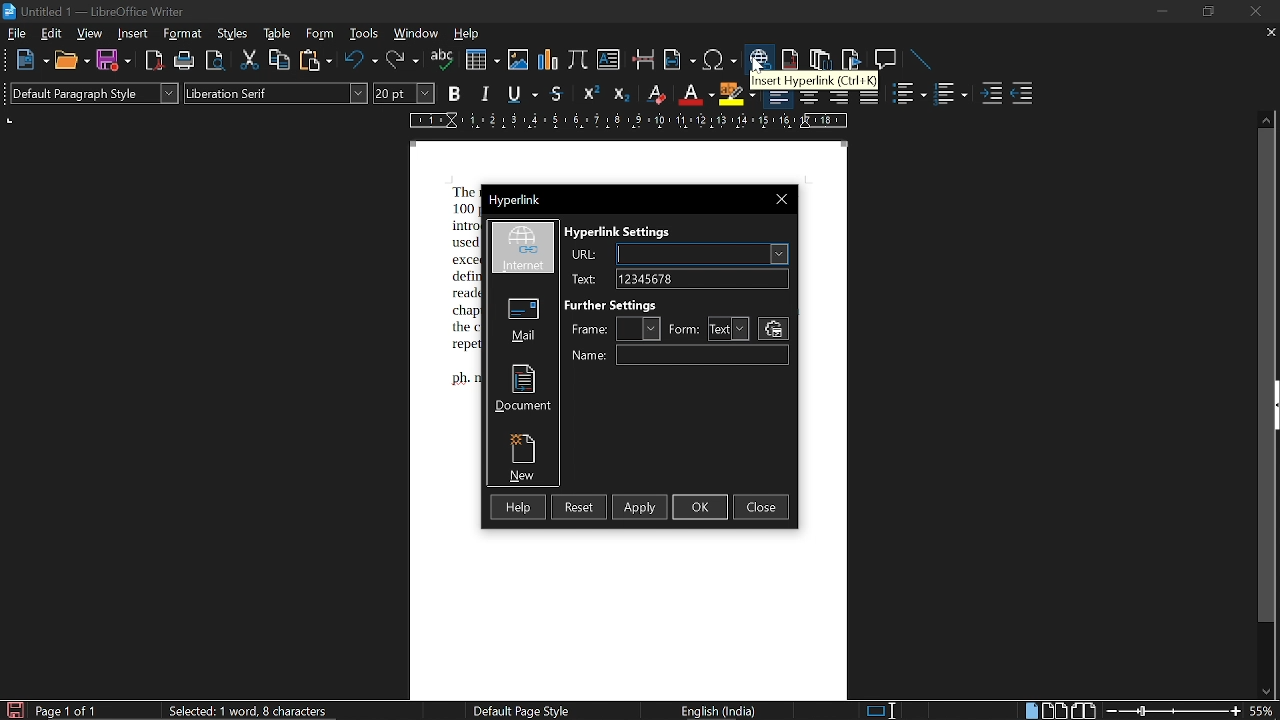 Image resolution: width=1280 pixels, height=720 pixels. Describe the element at coordinates (67, 712) in the screenshot. I see `page 1 of 1` at that location.